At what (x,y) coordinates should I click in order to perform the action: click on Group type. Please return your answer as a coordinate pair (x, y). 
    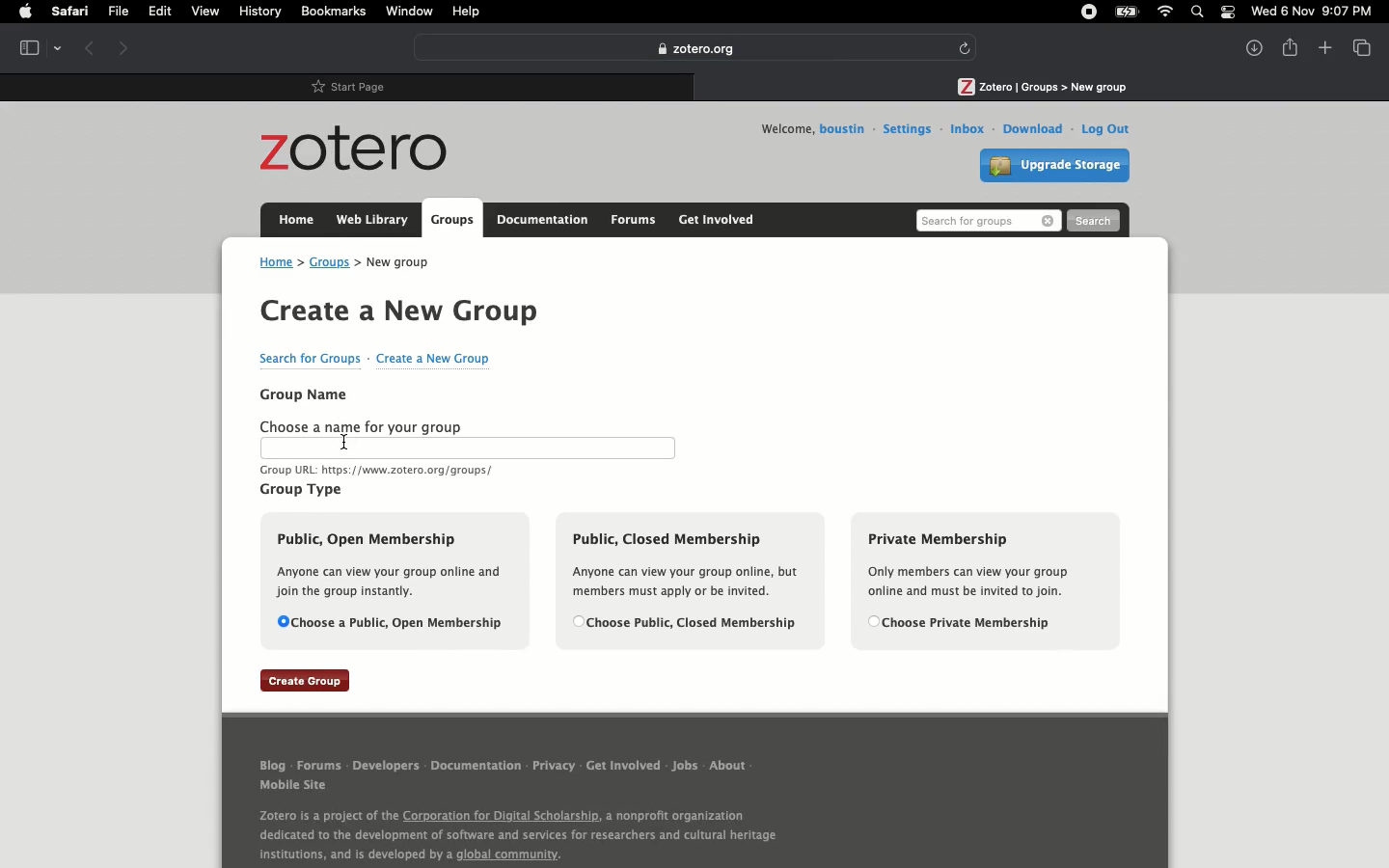
    Looking at the image, I should click on (303, 490).